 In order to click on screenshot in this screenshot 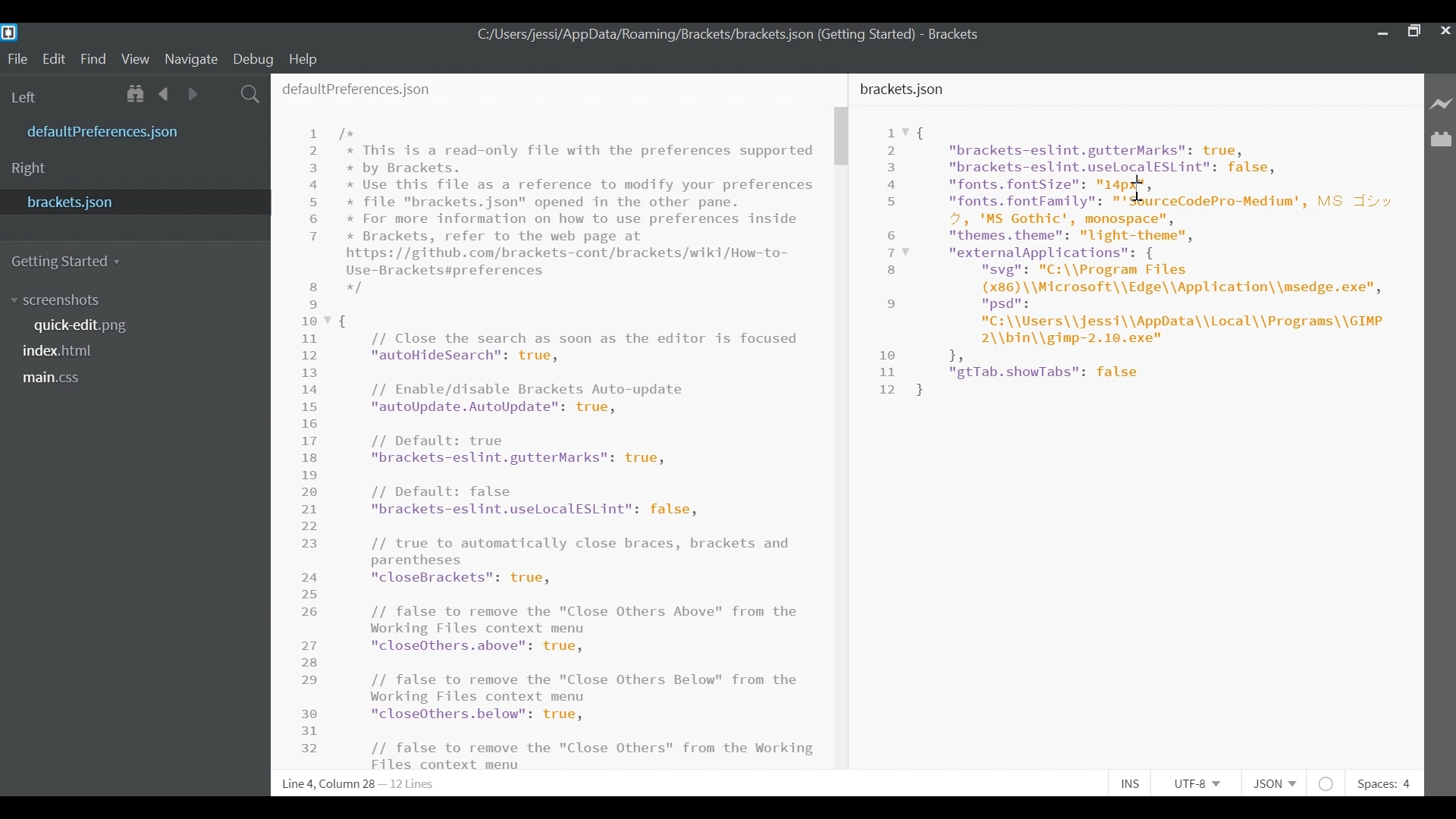, I will do `click(64, 299)`.